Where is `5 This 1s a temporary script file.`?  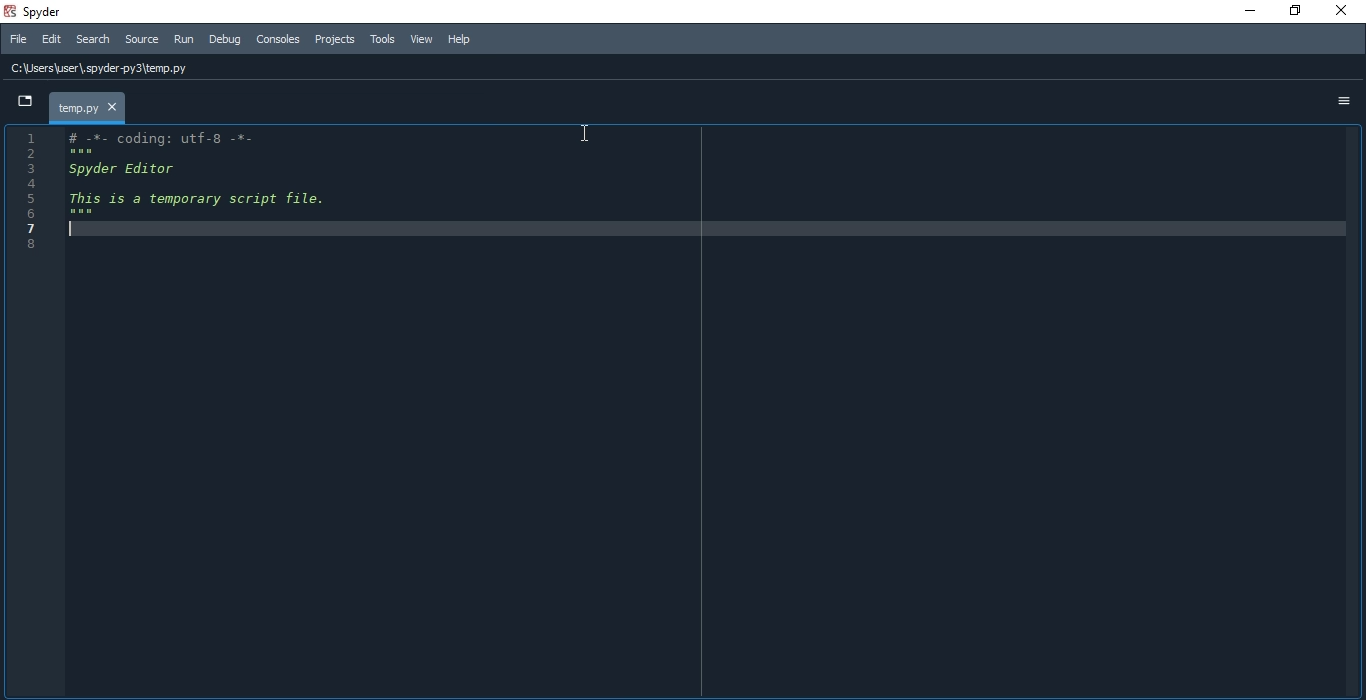
5 This 1s a temporary script file. is located at coordinates (176, 198).